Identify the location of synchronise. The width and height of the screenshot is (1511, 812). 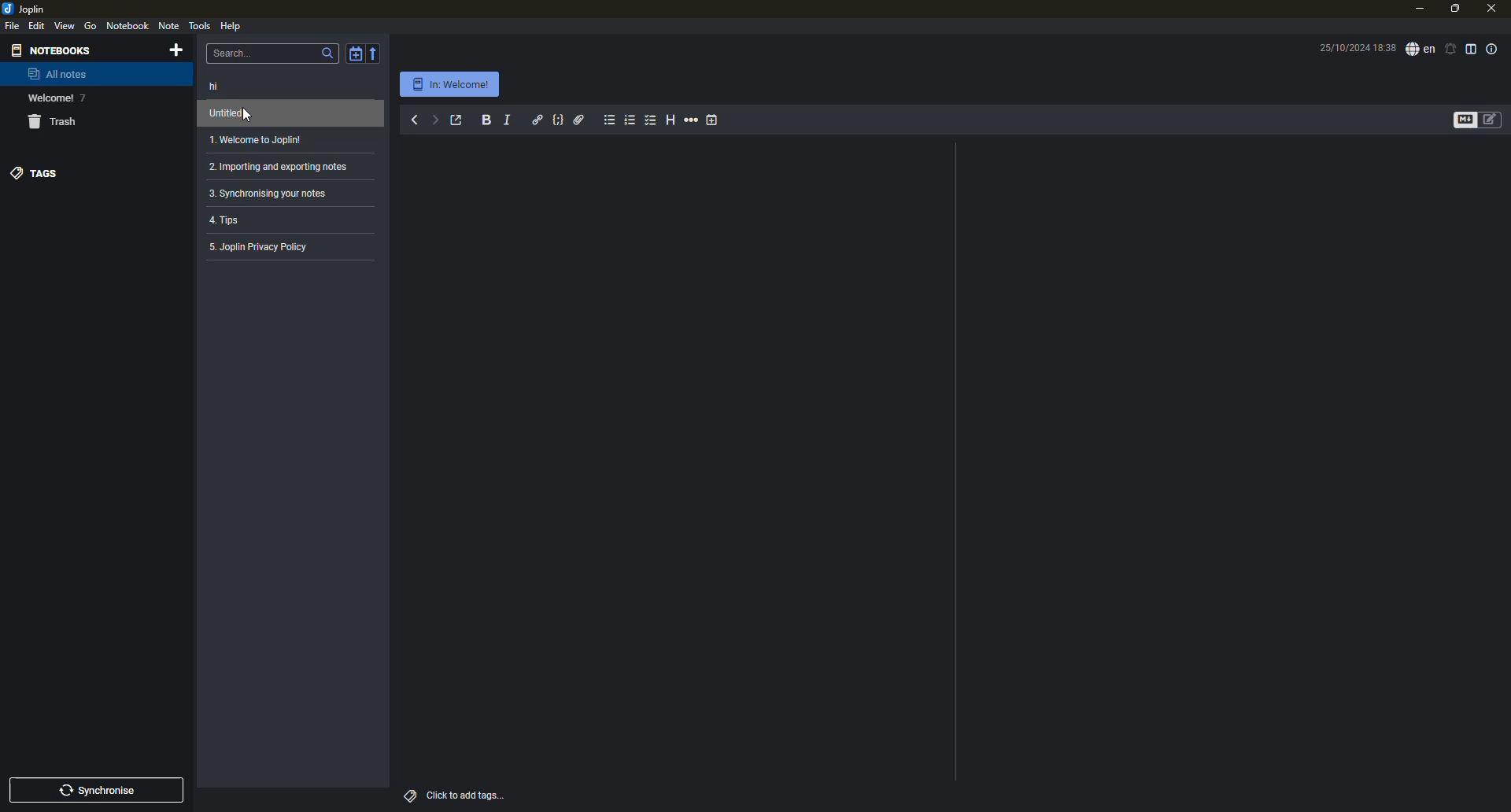
(102, 788).